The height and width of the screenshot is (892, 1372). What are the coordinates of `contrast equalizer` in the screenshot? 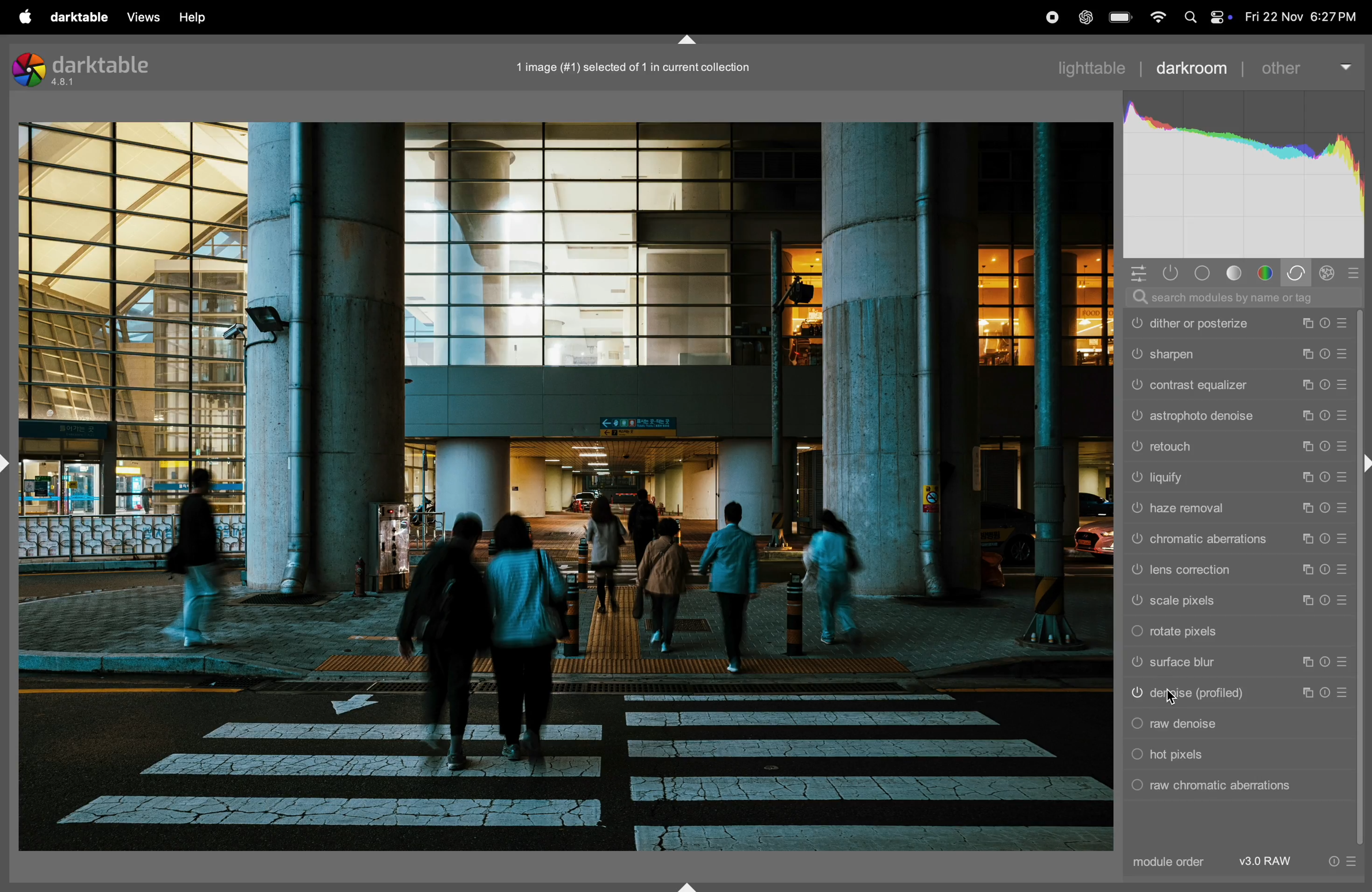 It's located at (1238, 384).